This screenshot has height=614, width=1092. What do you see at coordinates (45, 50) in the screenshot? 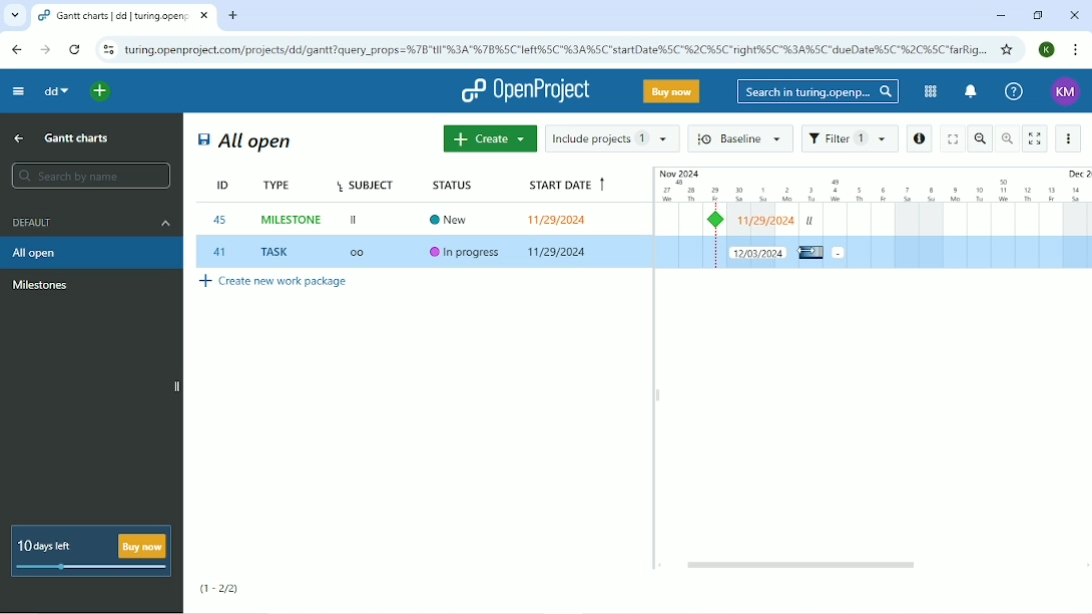
I see `Forward` at bounding box center [45, 50].